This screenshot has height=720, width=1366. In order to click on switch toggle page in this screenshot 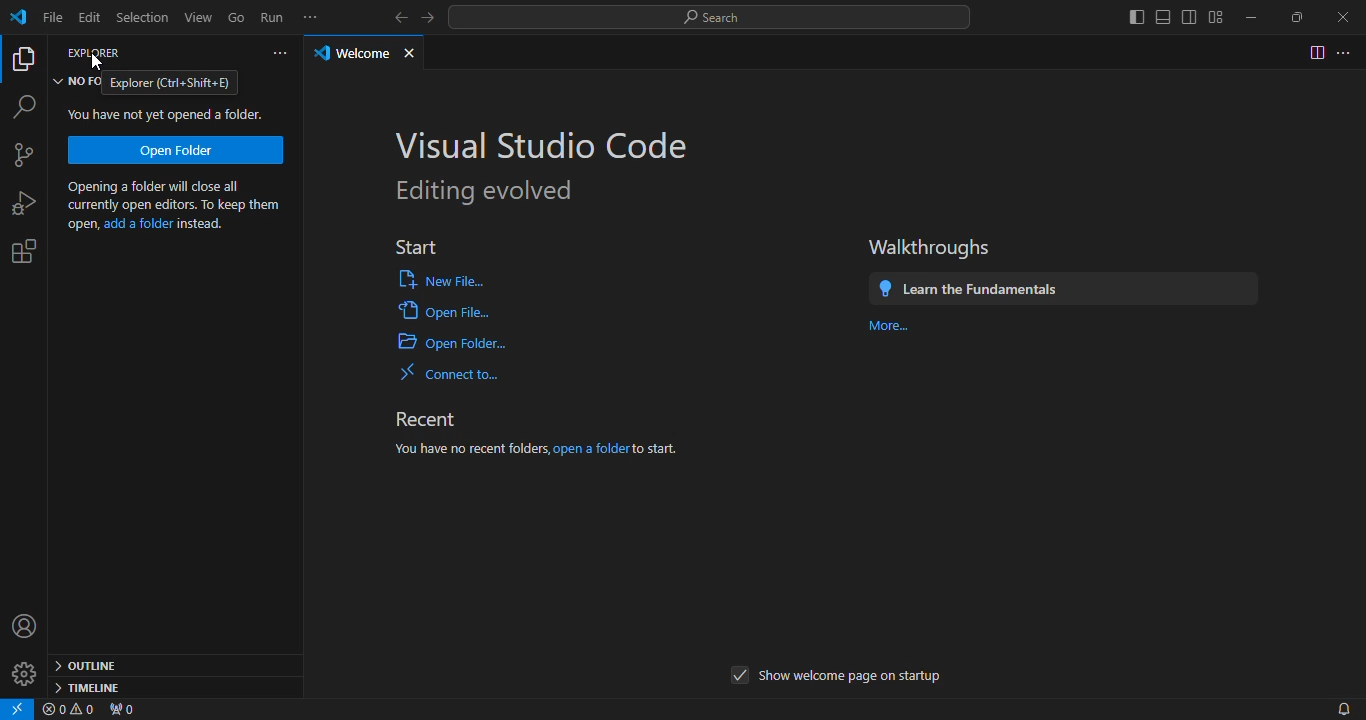, I will do `click(1315, 52)`.